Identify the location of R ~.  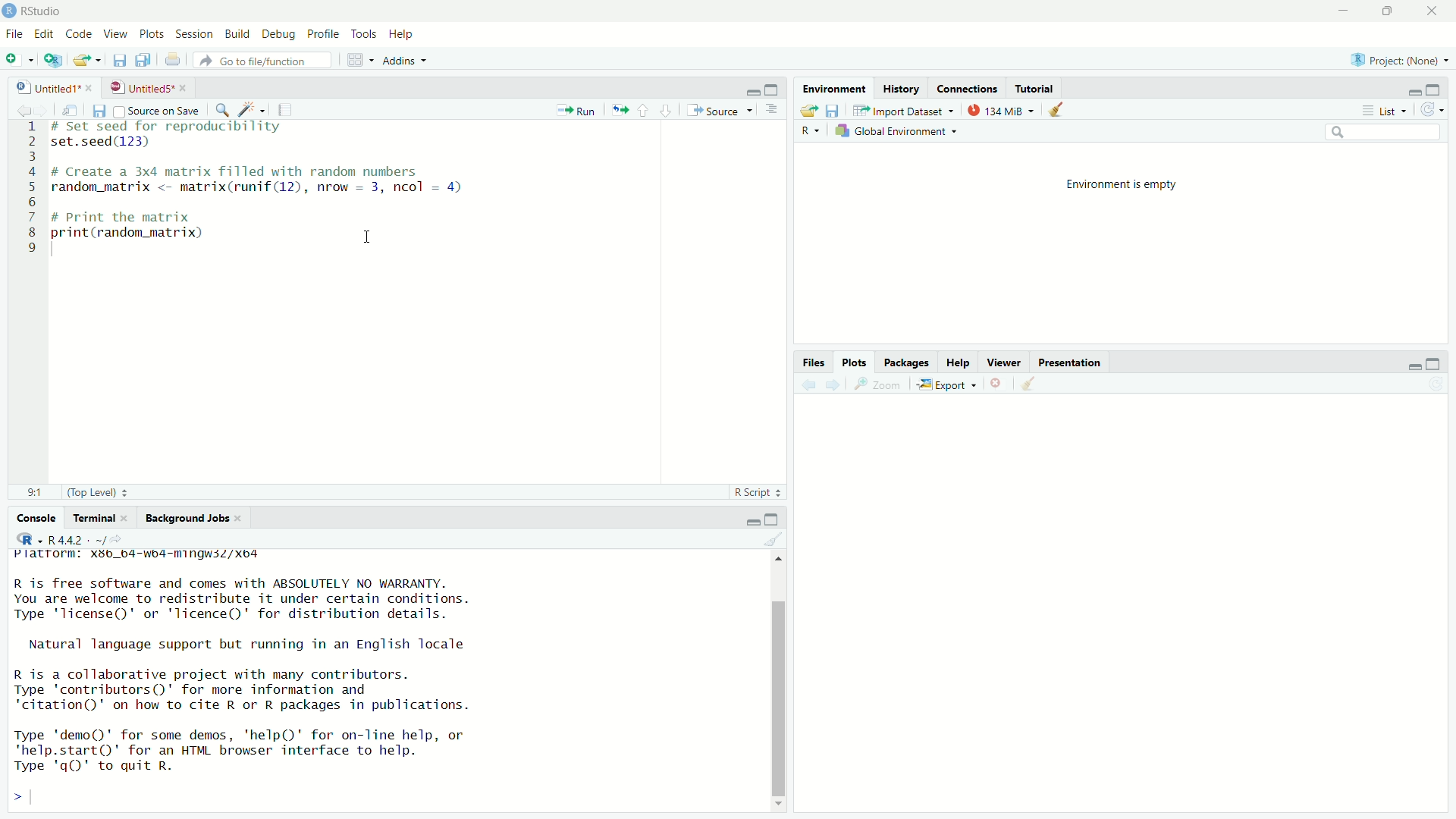
(808, 129).